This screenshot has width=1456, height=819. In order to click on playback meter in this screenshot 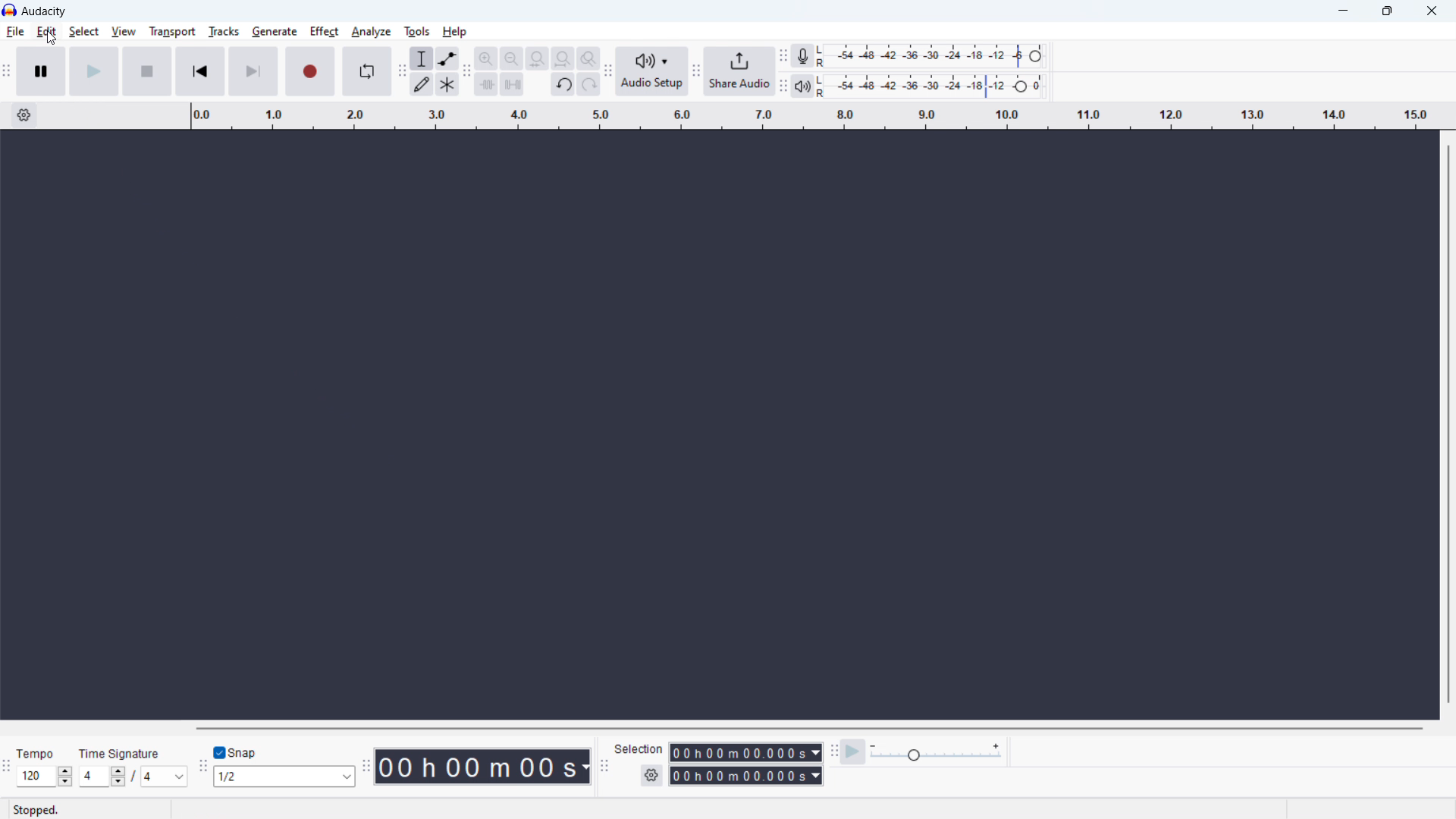, I will do `click(803, 86)`.